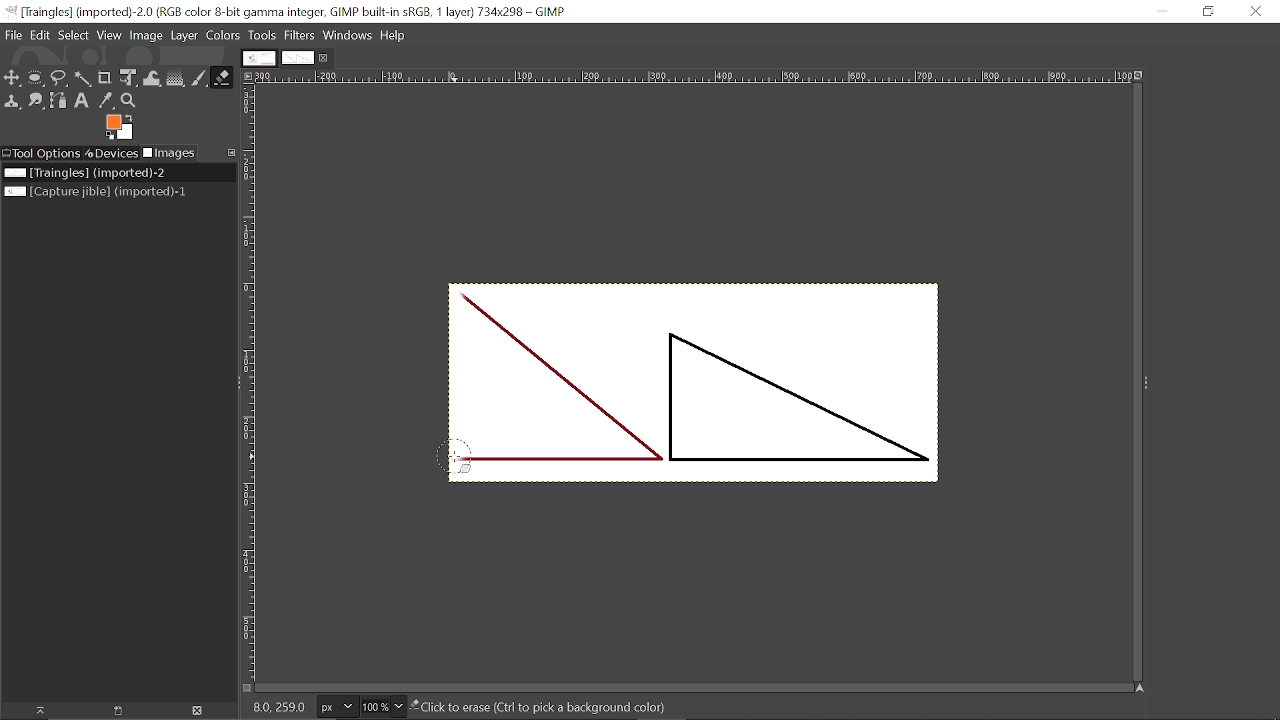 Image resolution: width=1280 pixels, height=720 pixels. Describe the element at coordinates (325, 58) in the screenshot. I see `Close current tab` at that location.